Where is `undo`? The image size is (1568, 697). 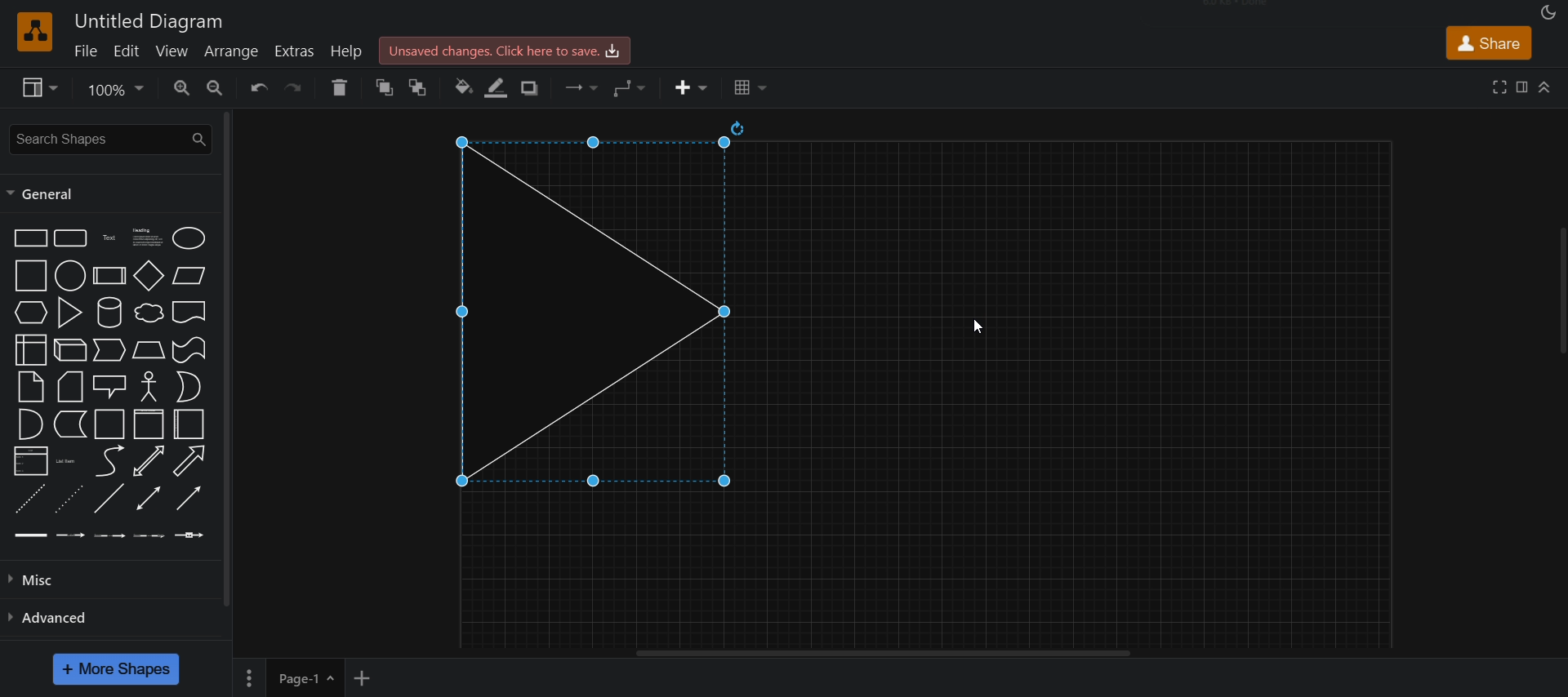 undo is located at coordinates (261, 89).